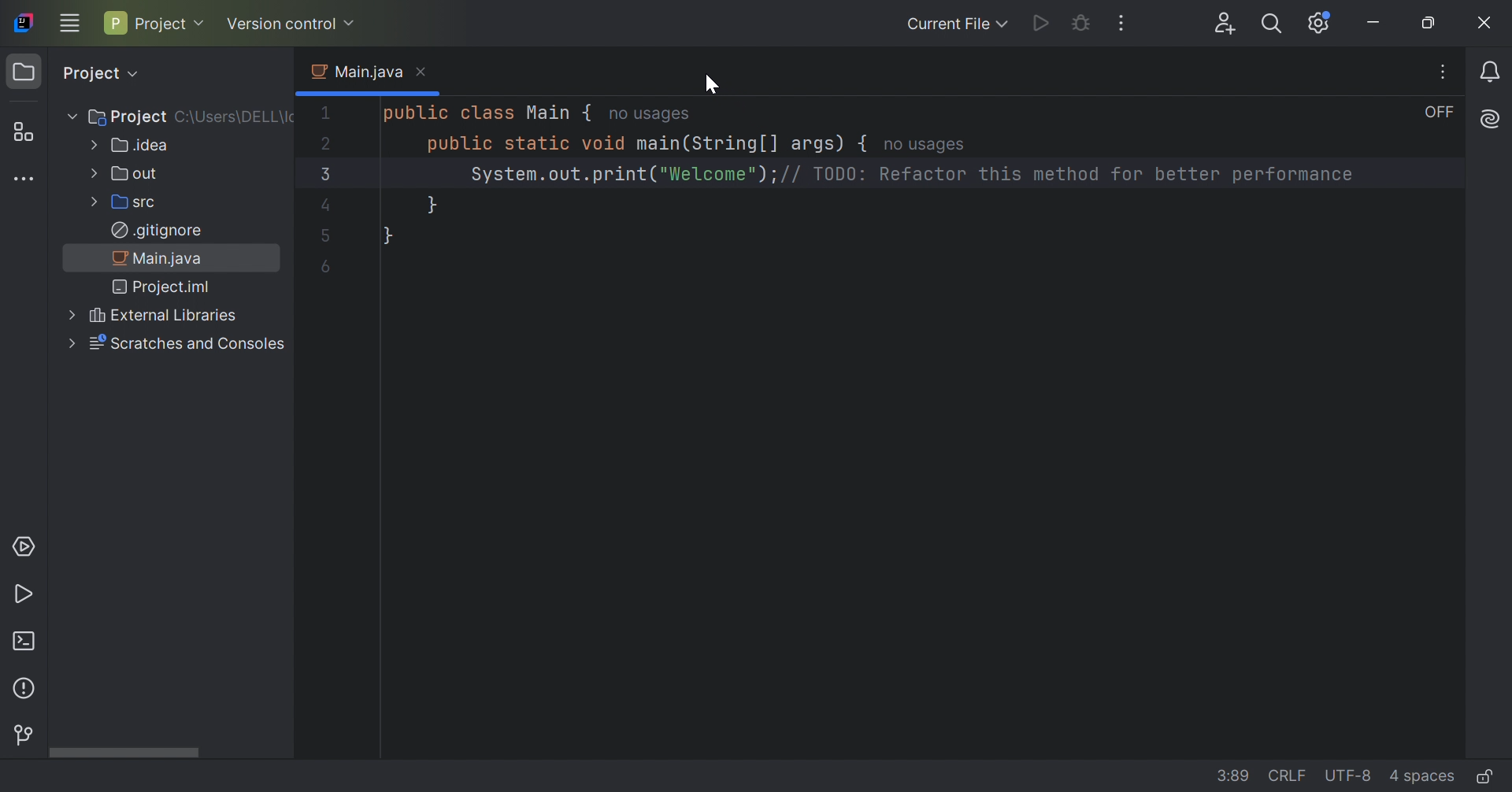  I want to click on 1, so click(326, 113).